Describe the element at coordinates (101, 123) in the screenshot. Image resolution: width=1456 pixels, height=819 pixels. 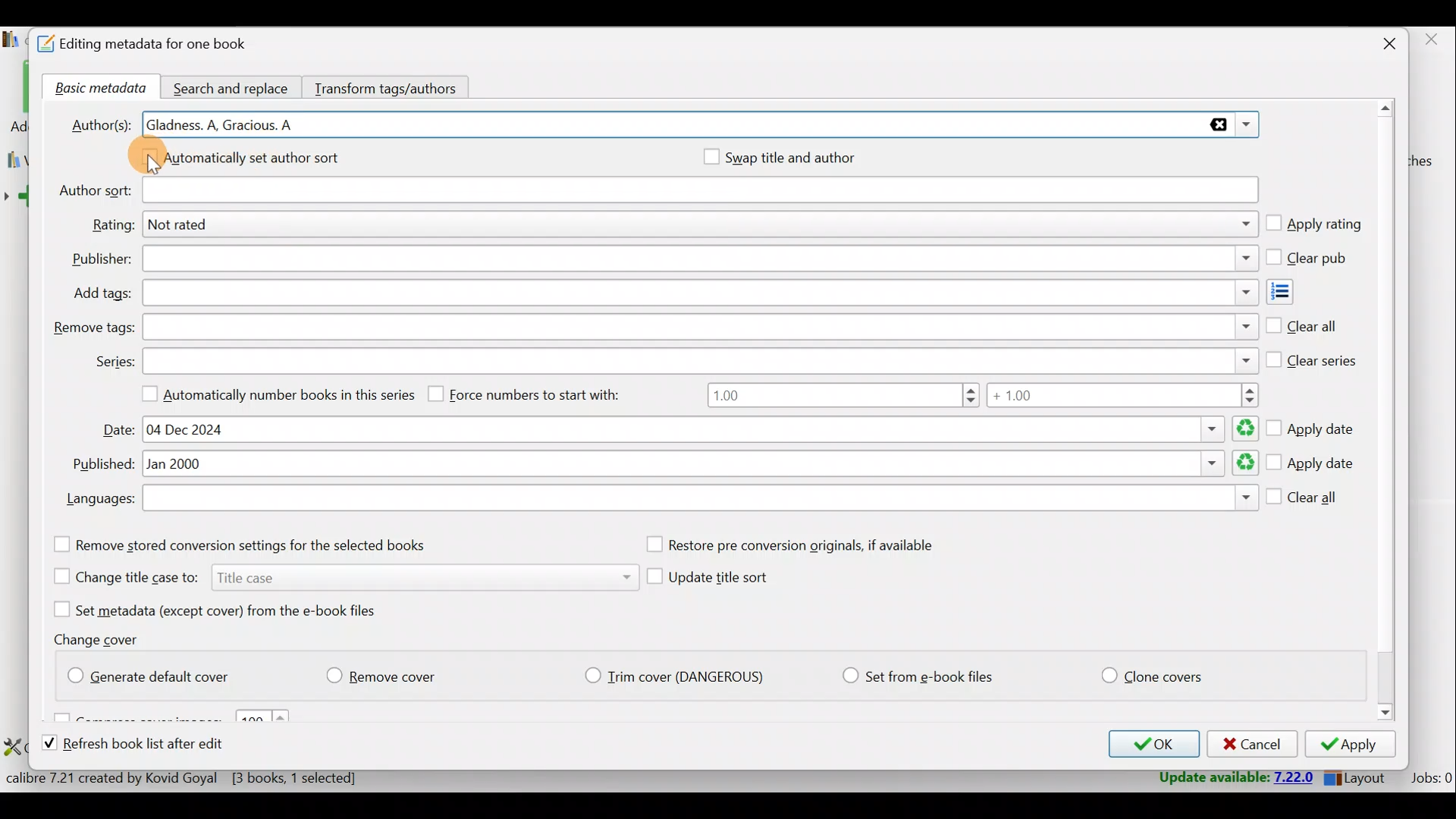
I see `Author(s):` at that location.